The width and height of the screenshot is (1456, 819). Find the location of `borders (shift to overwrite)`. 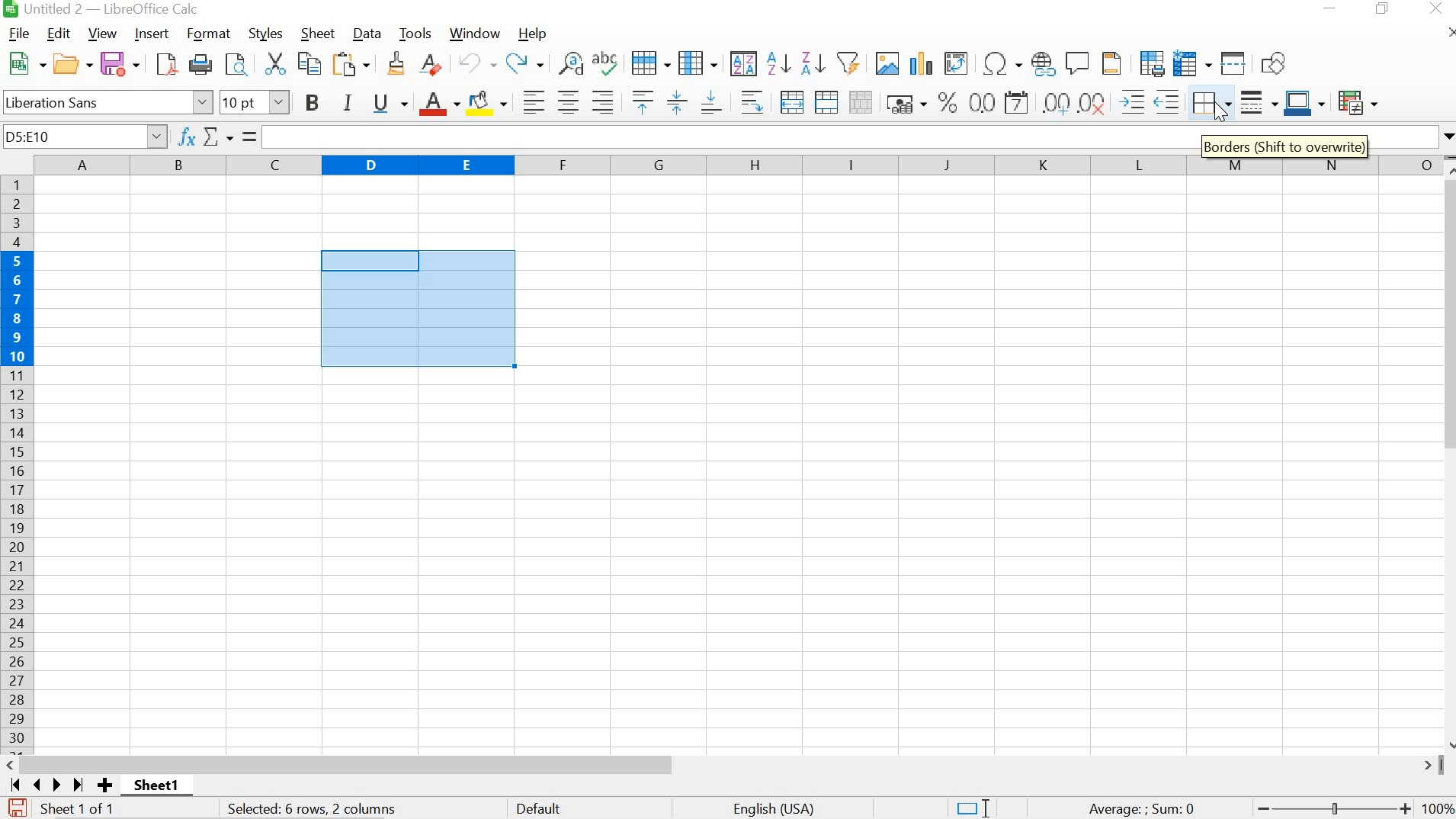

borders (shift to overwrite) is located at coordinates (1284, 144).